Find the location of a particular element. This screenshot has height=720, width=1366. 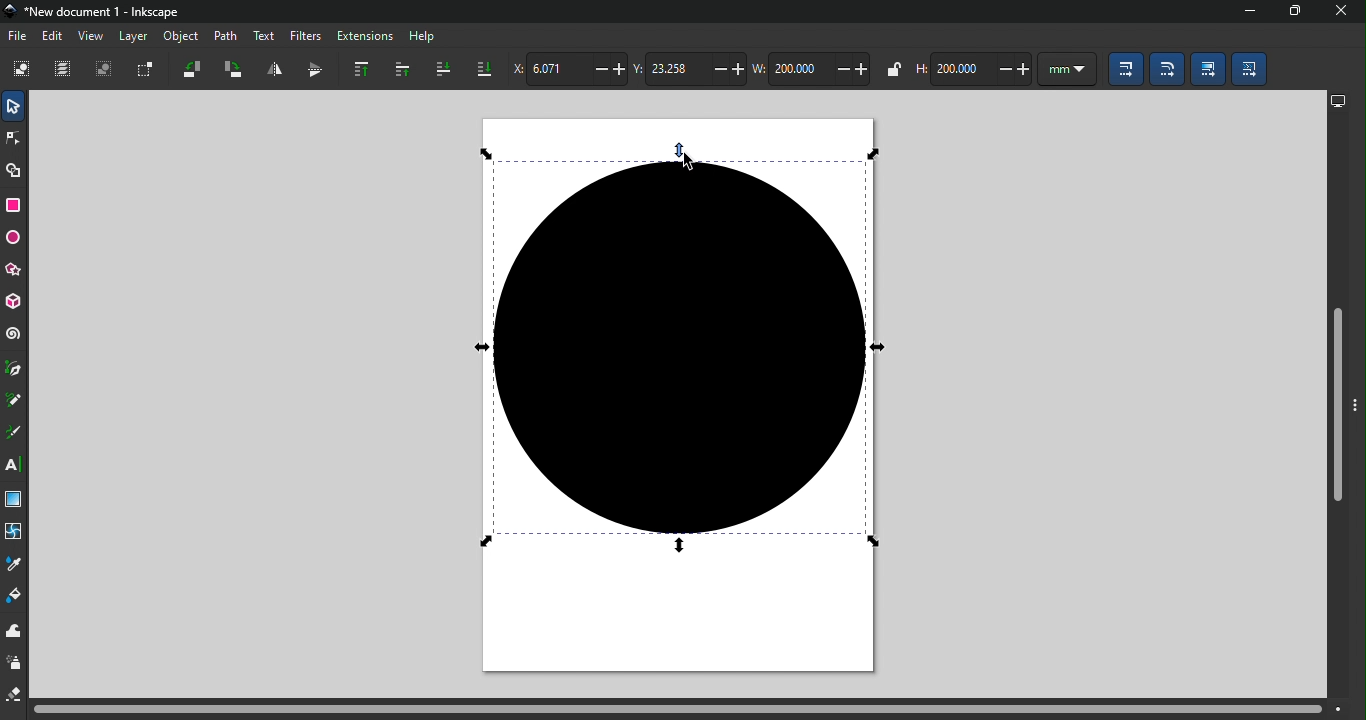

Mesh tool is located at coordinates (14, 532).